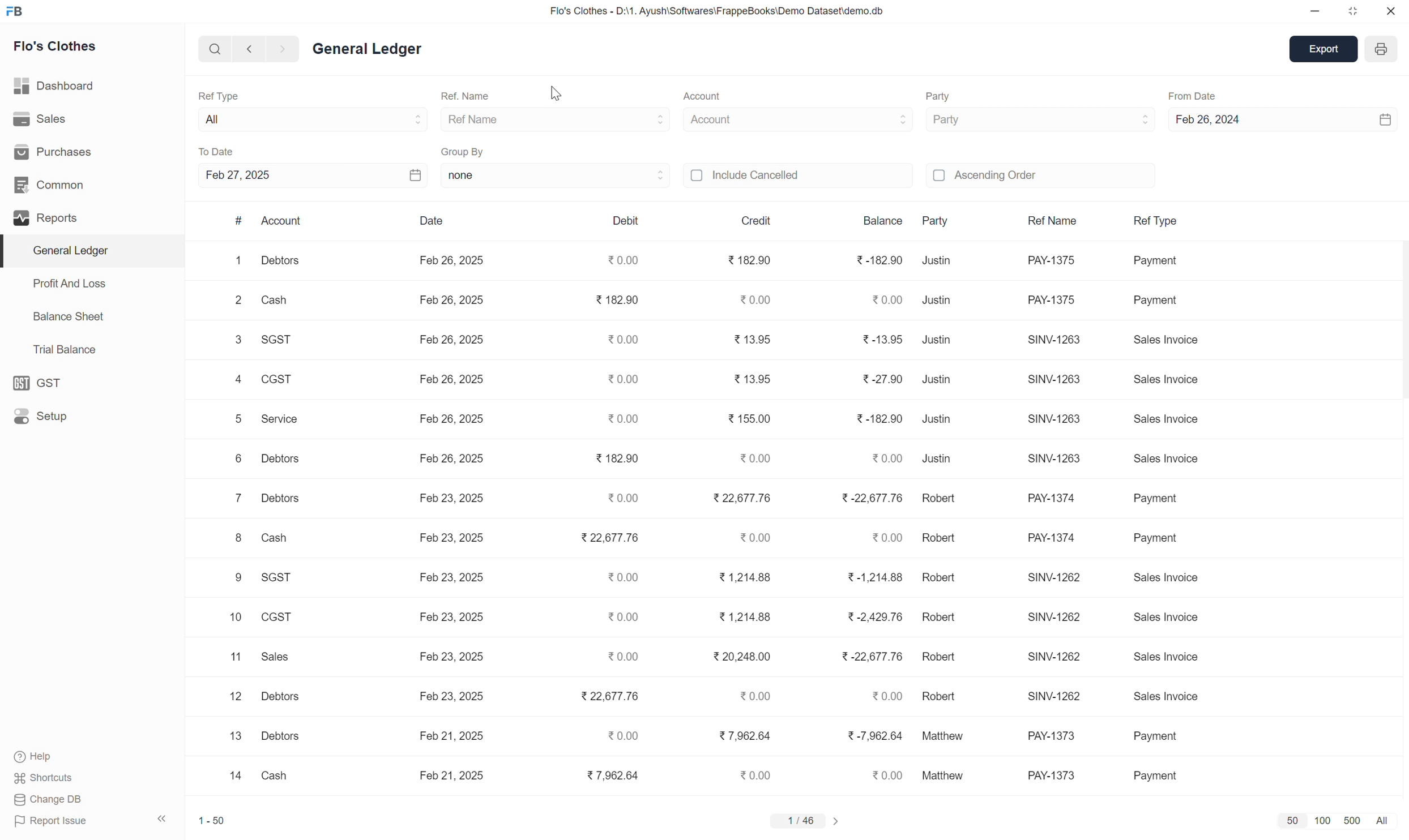 This screenshot has height=840, width=1409. I want to click on 8, so click(238, 536).